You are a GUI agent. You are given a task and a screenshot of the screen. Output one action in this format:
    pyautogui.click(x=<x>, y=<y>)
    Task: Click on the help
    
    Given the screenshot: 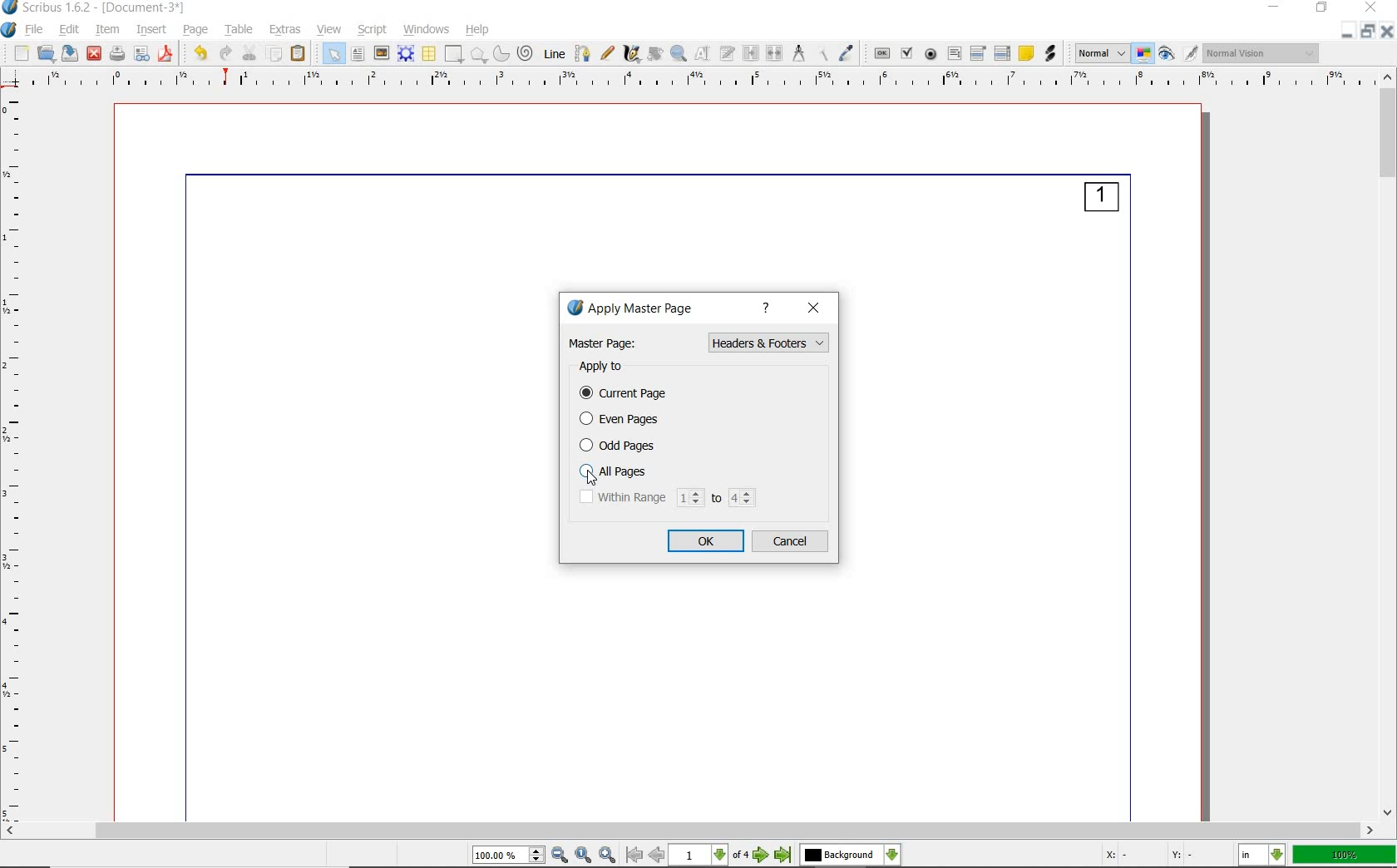 What is the action you would take?
    pyautogui.click(x=479, y=31)
    